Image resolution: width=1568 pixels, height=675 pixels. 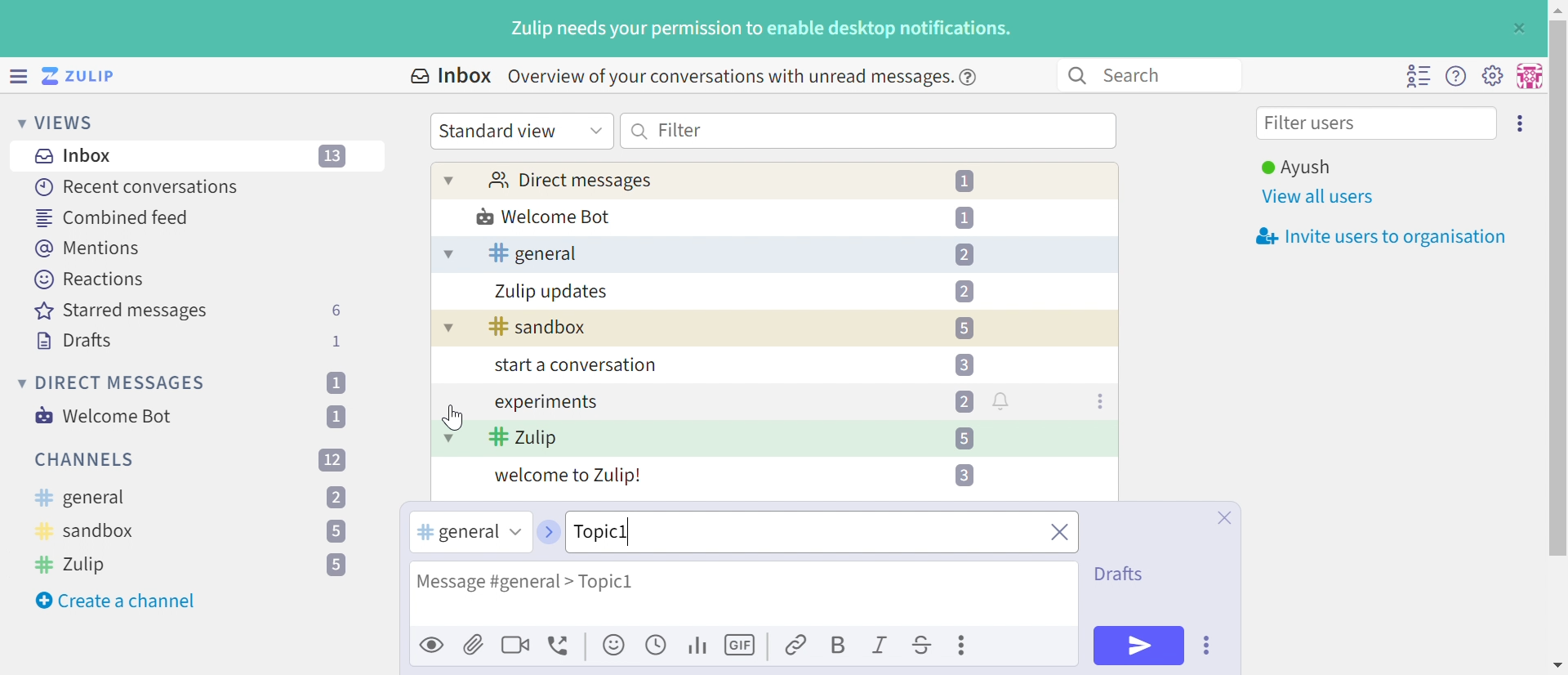 I want to click on Drop Down, so click(x=447, y=255).